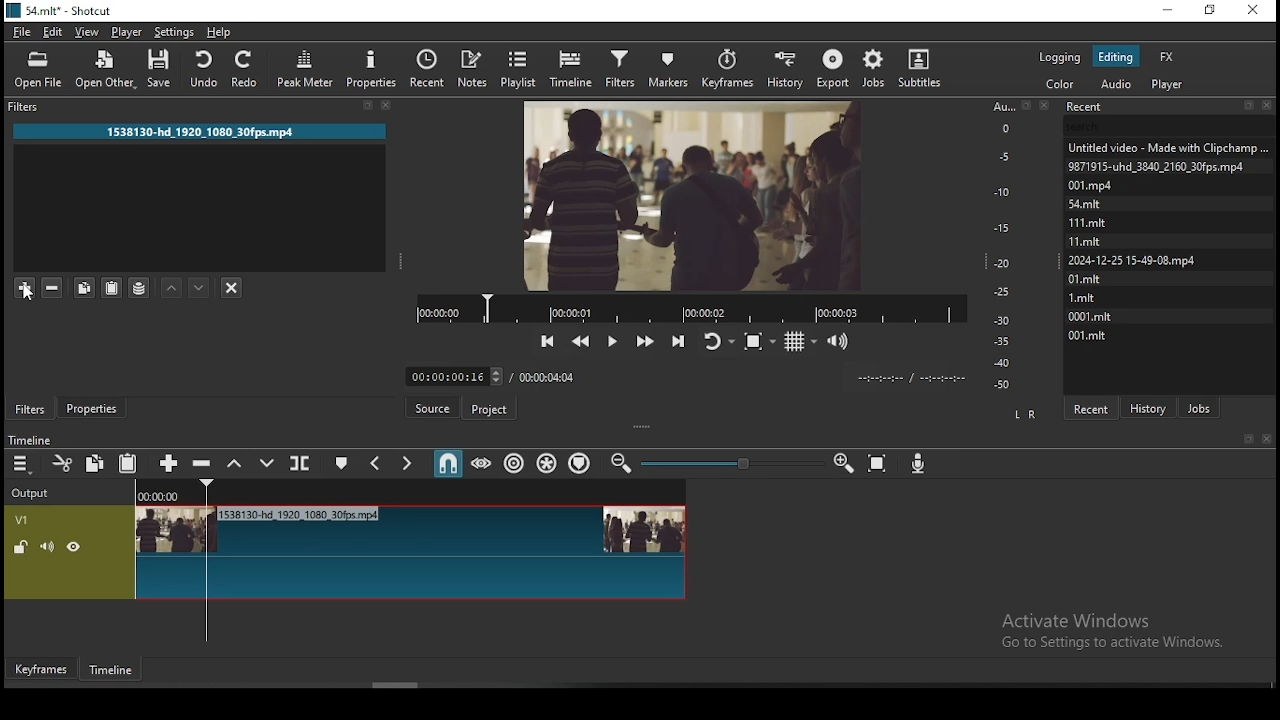  I want to click on history, so click(784, 67).